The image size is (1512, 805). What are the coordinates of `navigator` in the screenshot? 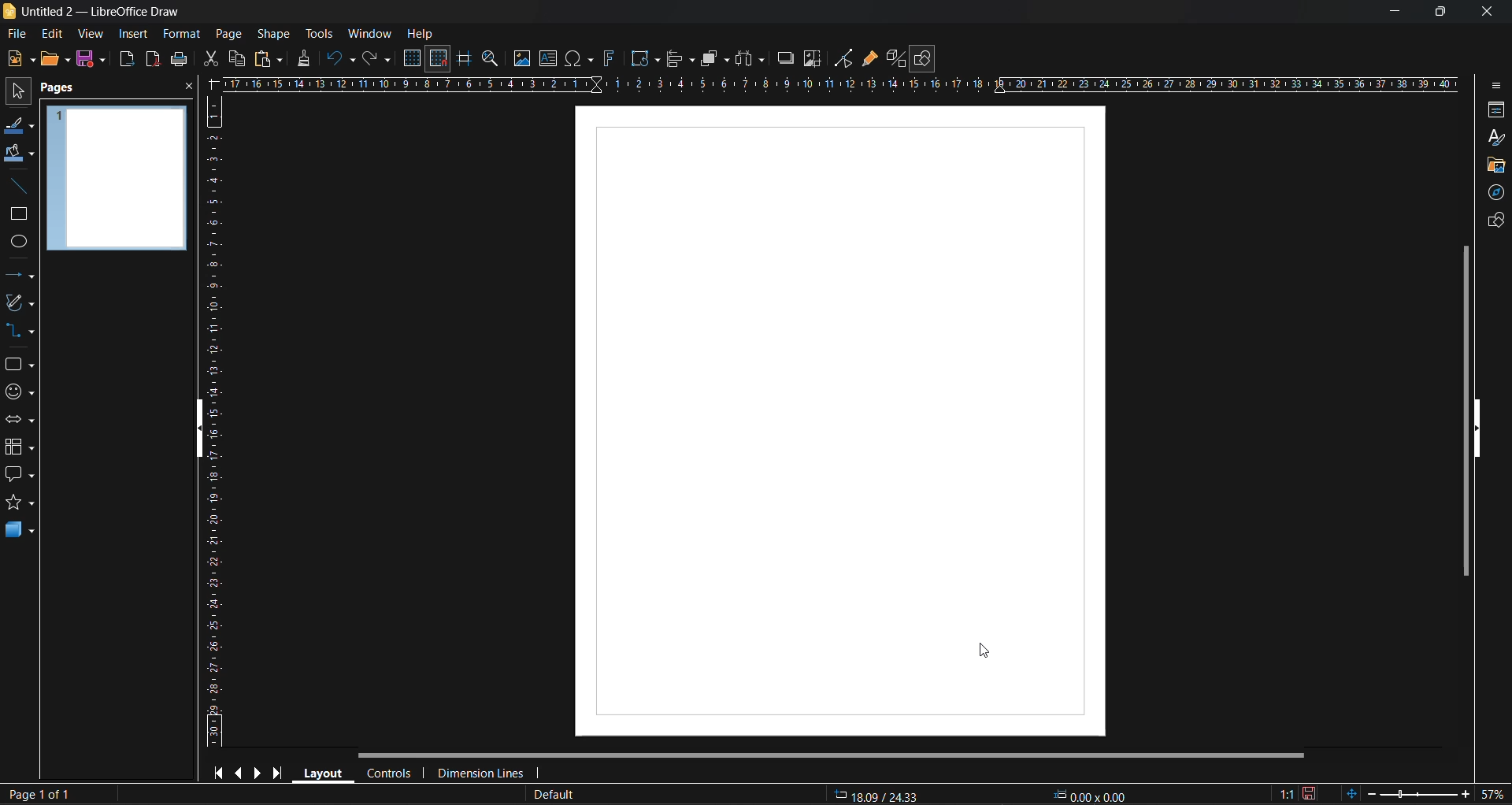 It's located at (1494, 193).